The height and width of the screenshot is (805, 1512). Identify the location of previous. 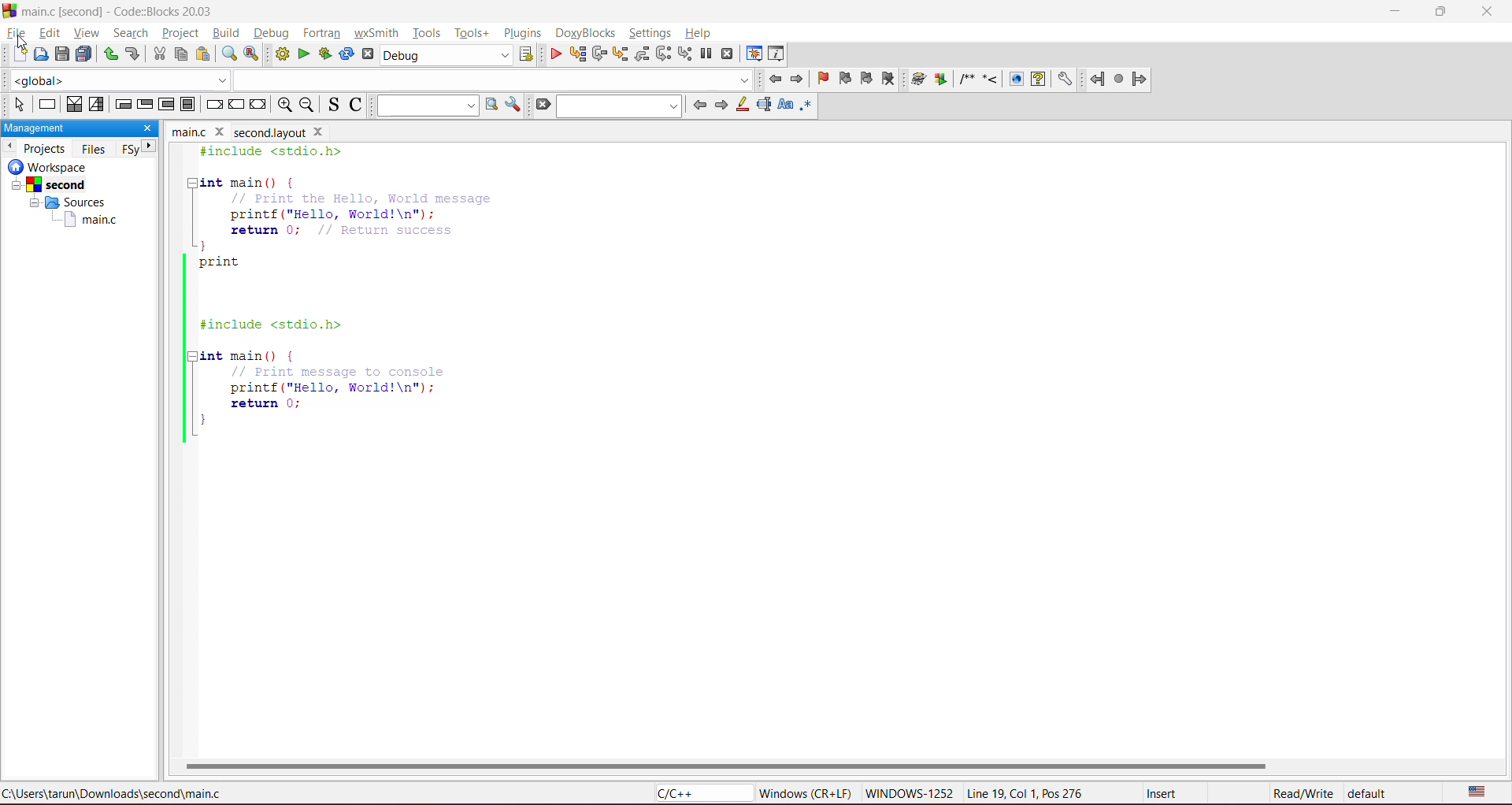
(9, 145).